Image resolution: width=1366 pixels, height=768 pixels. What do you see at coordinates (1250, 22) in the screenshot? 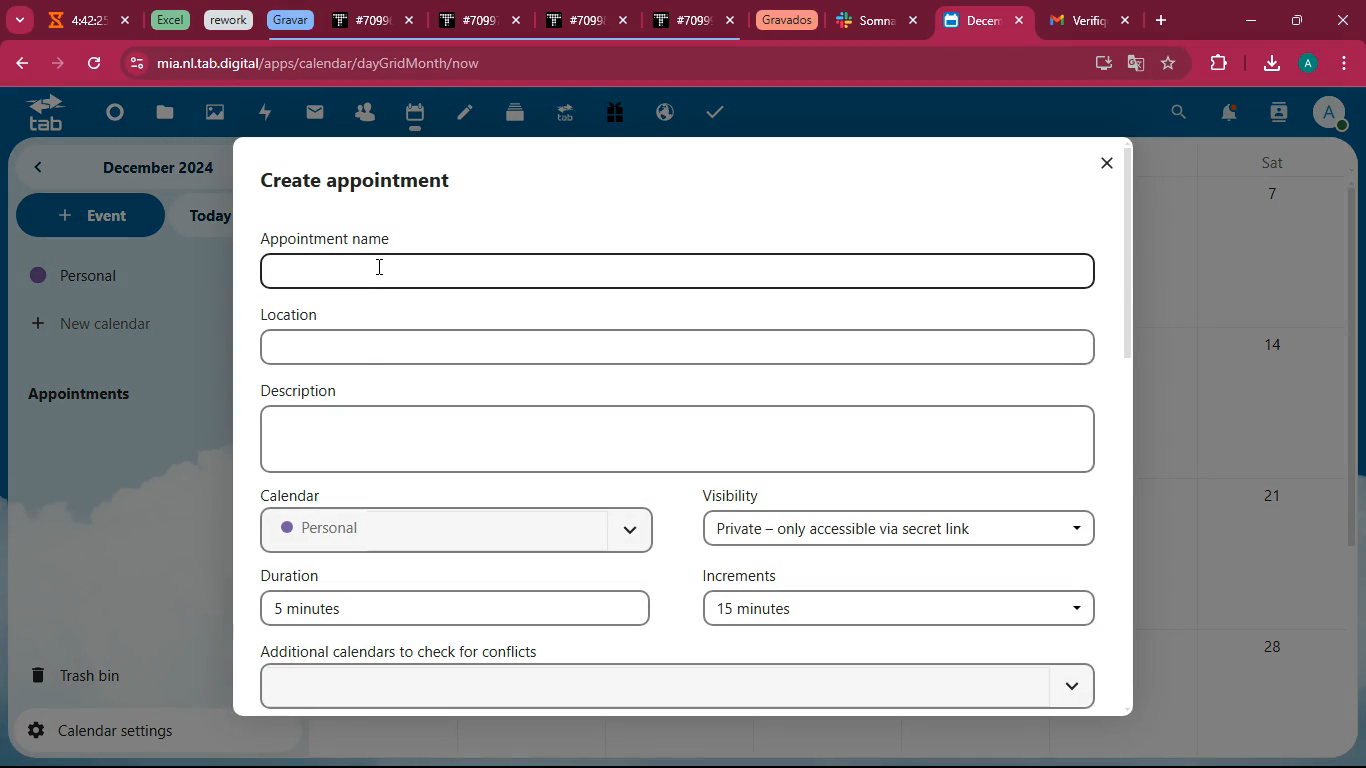
I see `minimize` at bounding box center [1250, 22].